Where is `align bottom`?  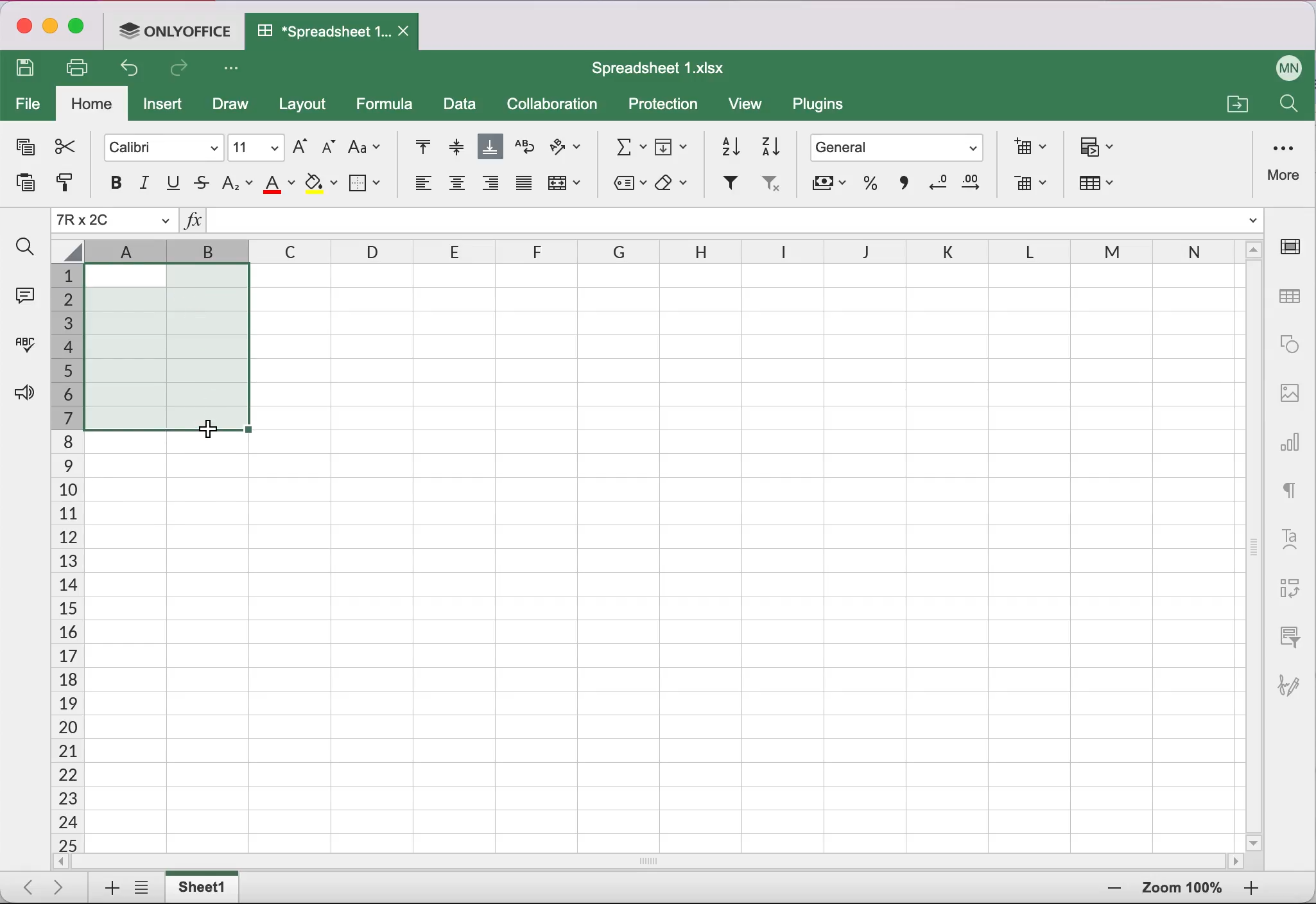
align bottom is located at coordinates (491, 148).